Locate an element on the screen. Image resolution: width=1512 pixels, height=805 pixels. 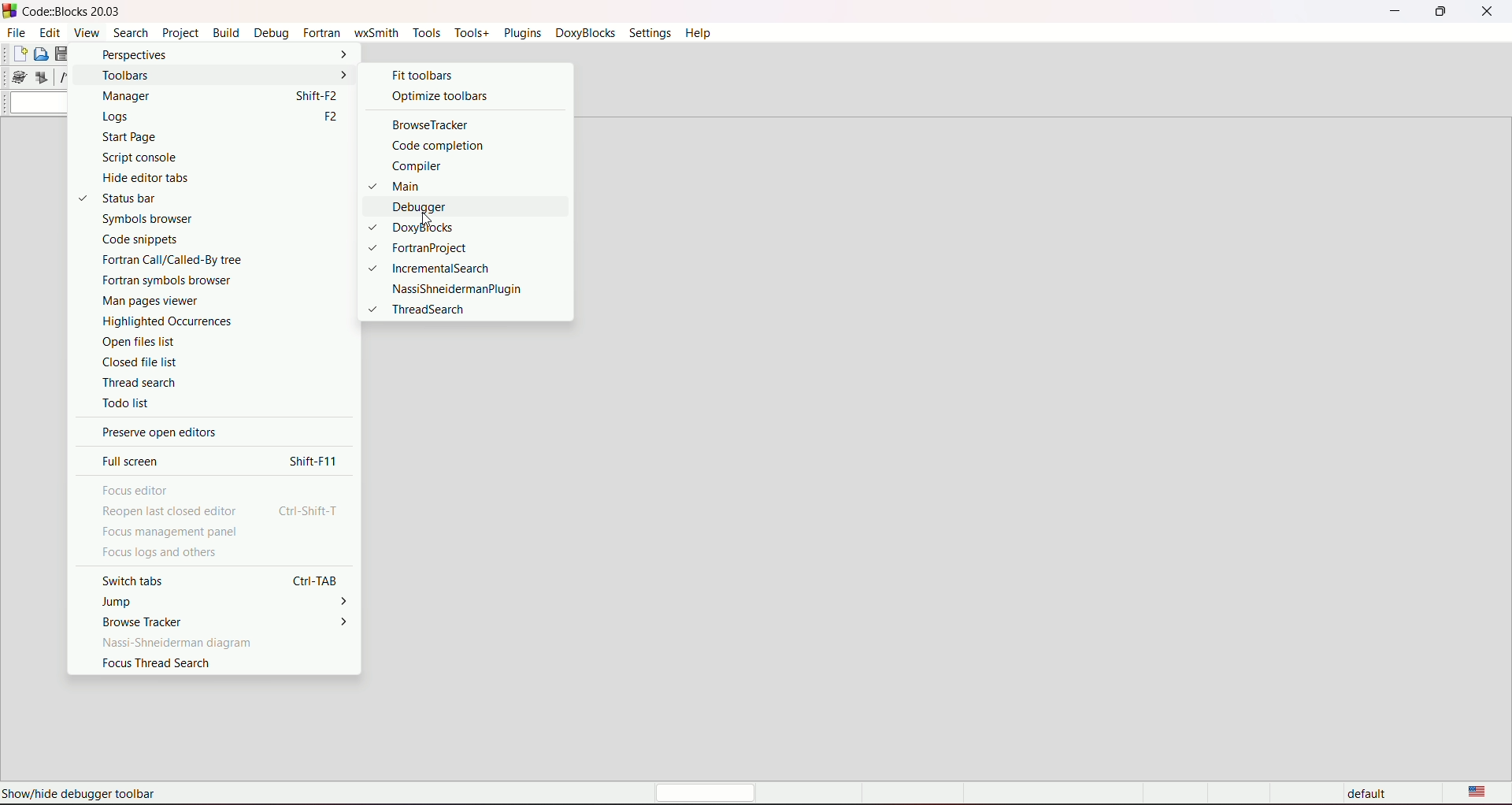
focus thread search is located at coordinates (157, 663).